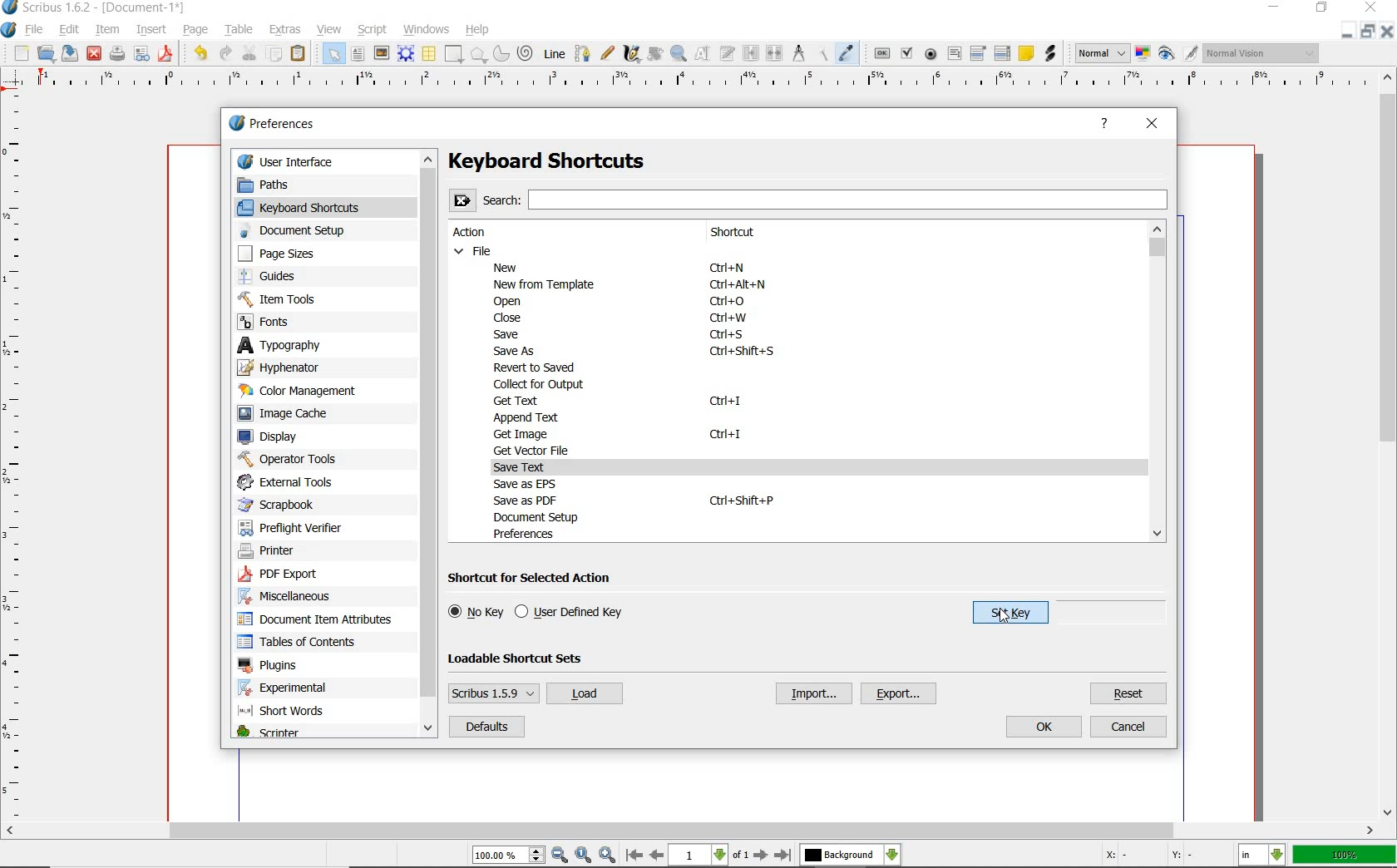 The image size is (1397, 868). What do you see at coordinates (38, 31) in the screenshot?
I see `file` at bounding box center [38, 31].